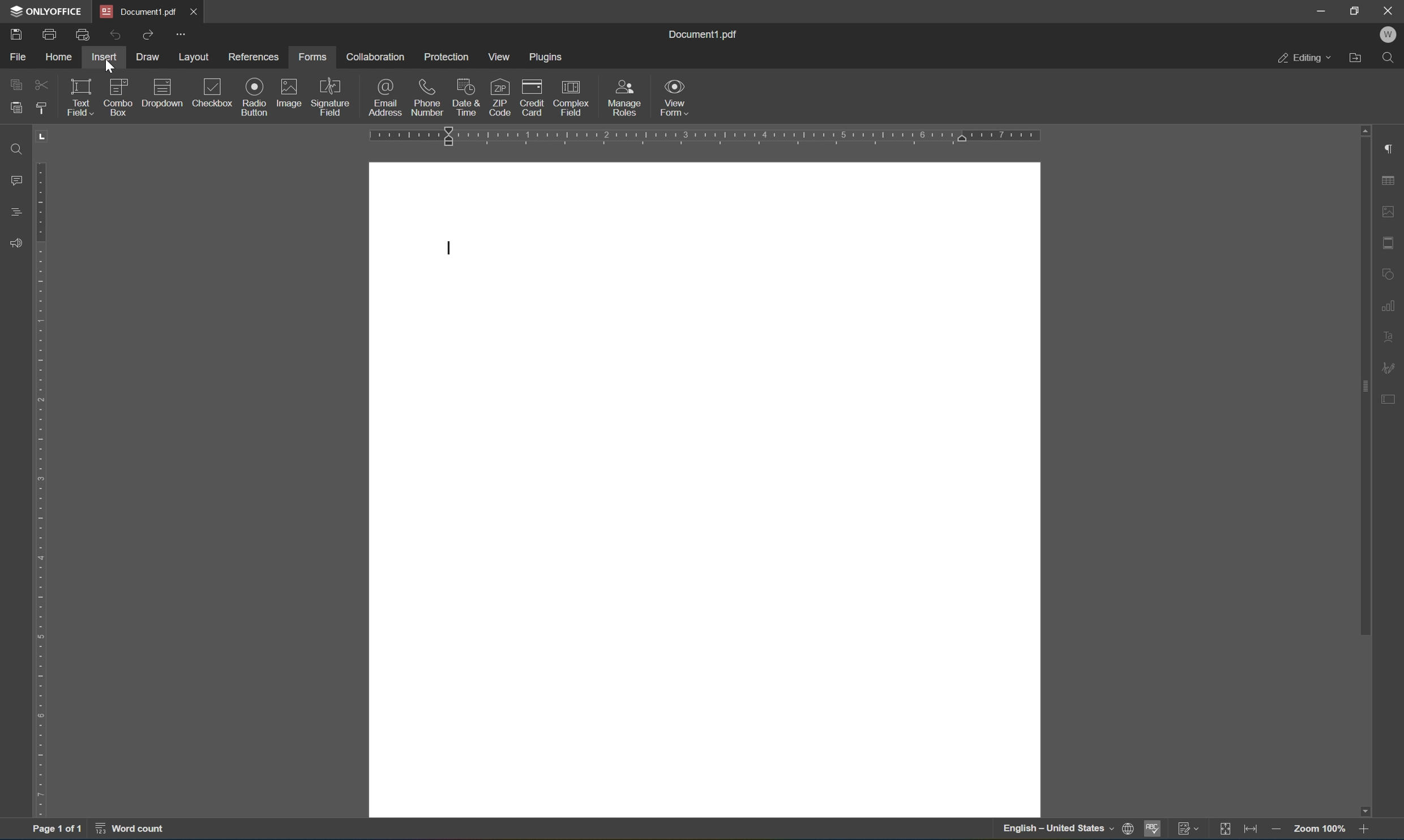 The width and height of the screenshot is (1404, 840). Describe the element at coordinates (1361, 380) in the screenshot. I see `scroll bar` at that location.